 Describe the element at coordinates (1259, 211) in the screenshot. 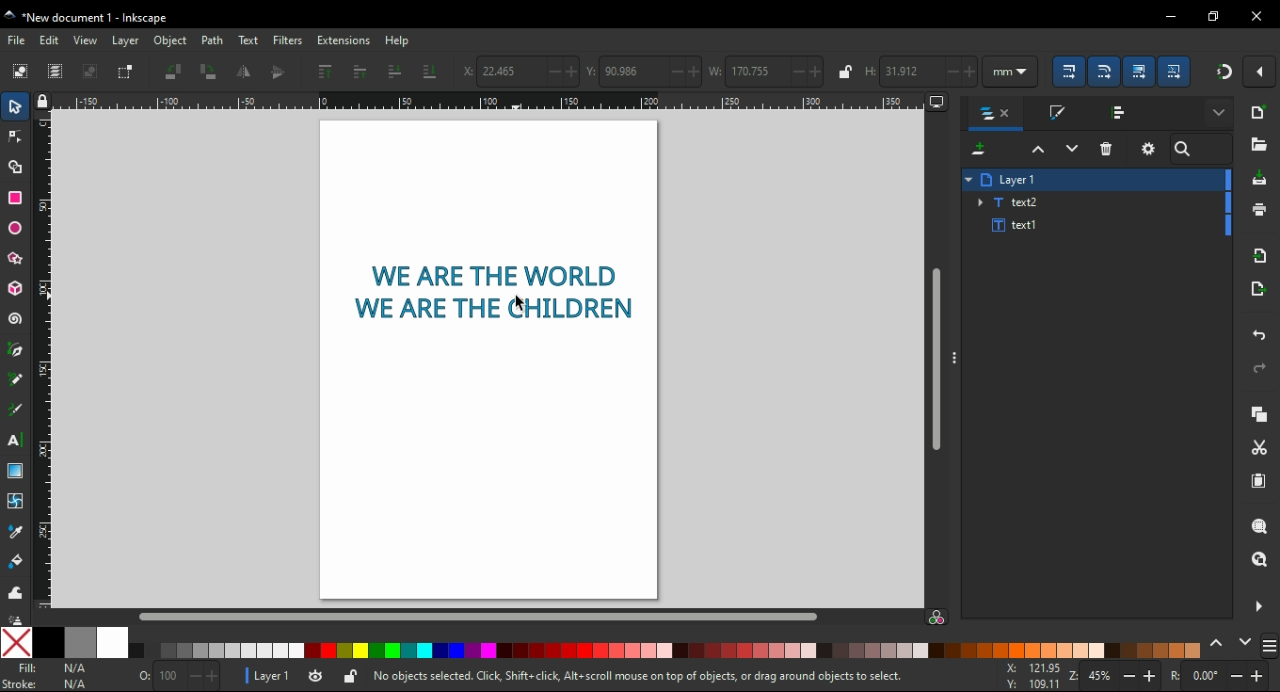

I see `print` at that location.